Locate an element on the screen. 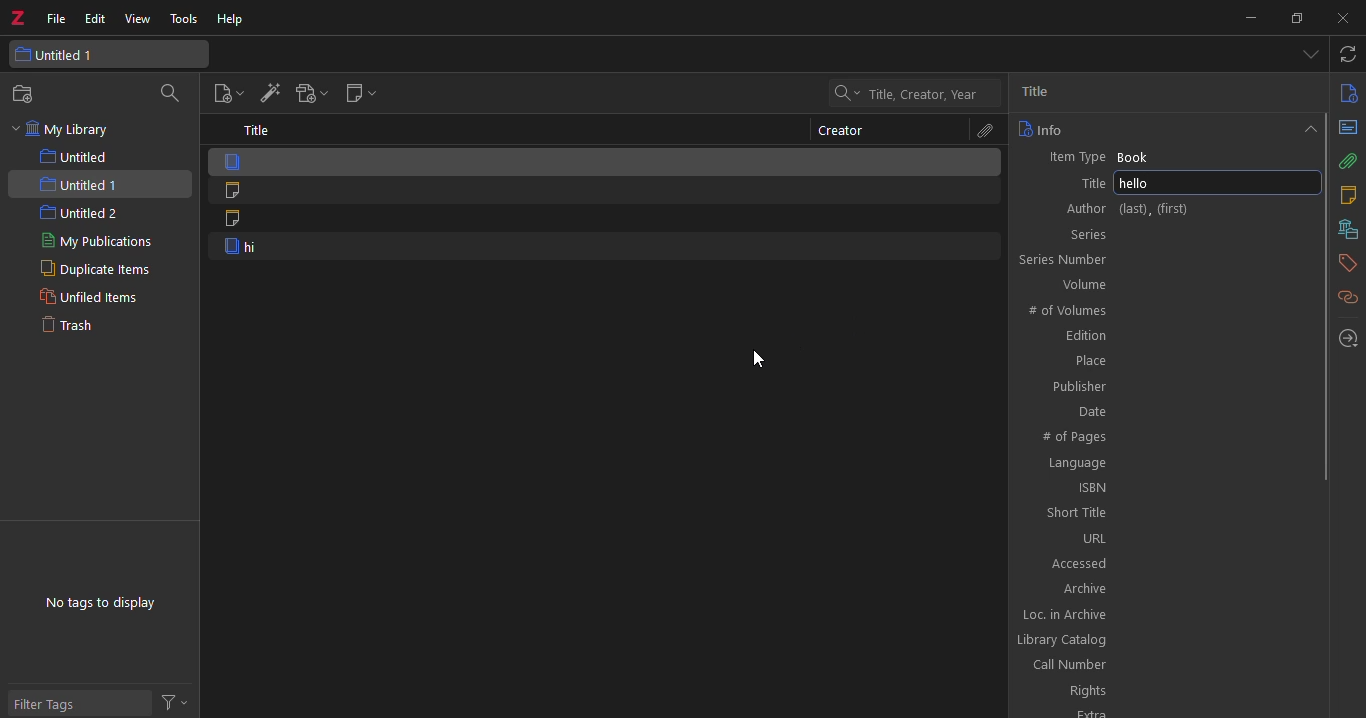 The height and width of the screenshot is (718, 1366). Title, Creator, Year is located at coordinates (923, 95).